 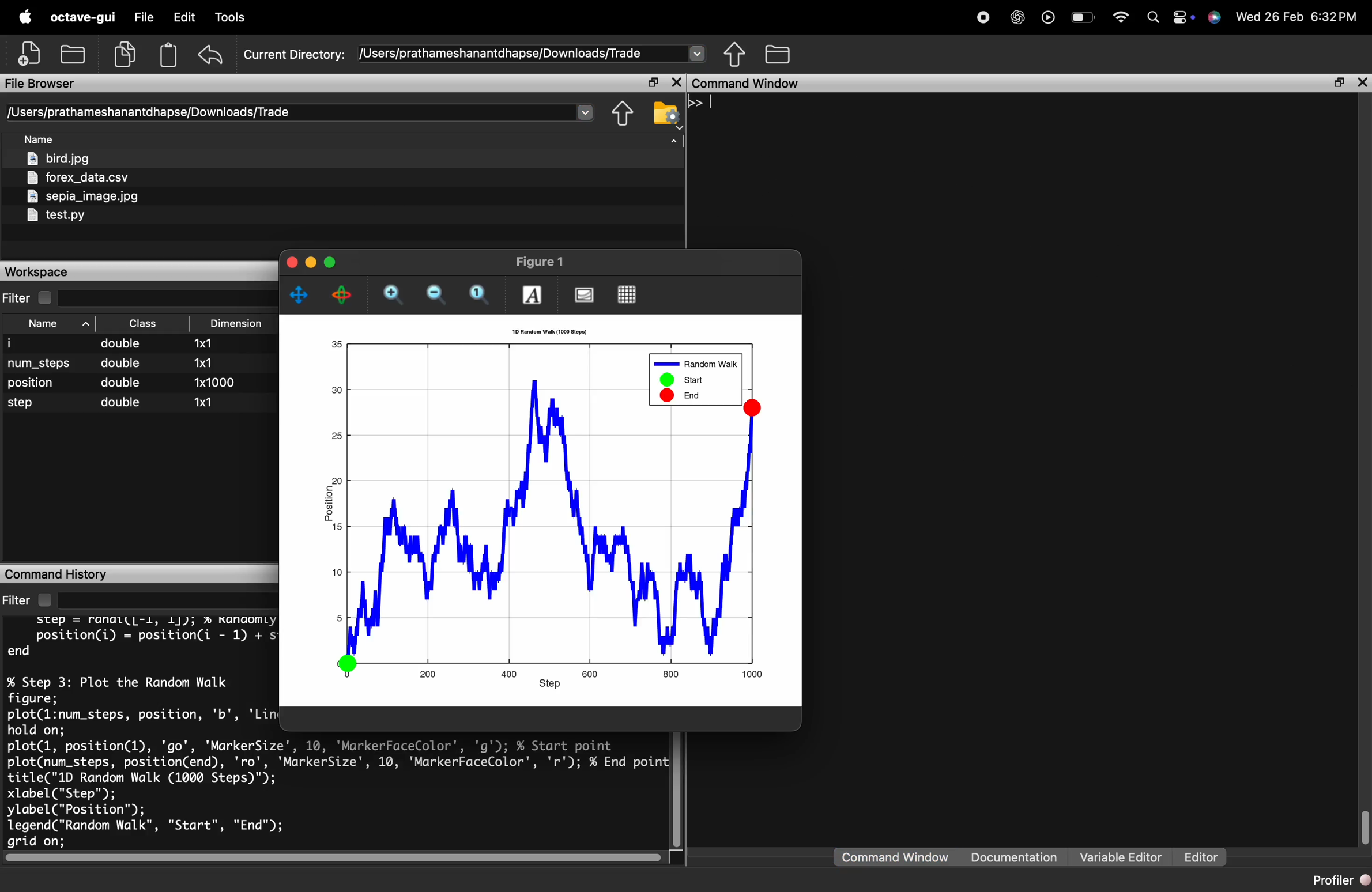 What do you see at coordinates (184, 18) in the screenshot?
I see `edit` at bounding box center [184, 18].